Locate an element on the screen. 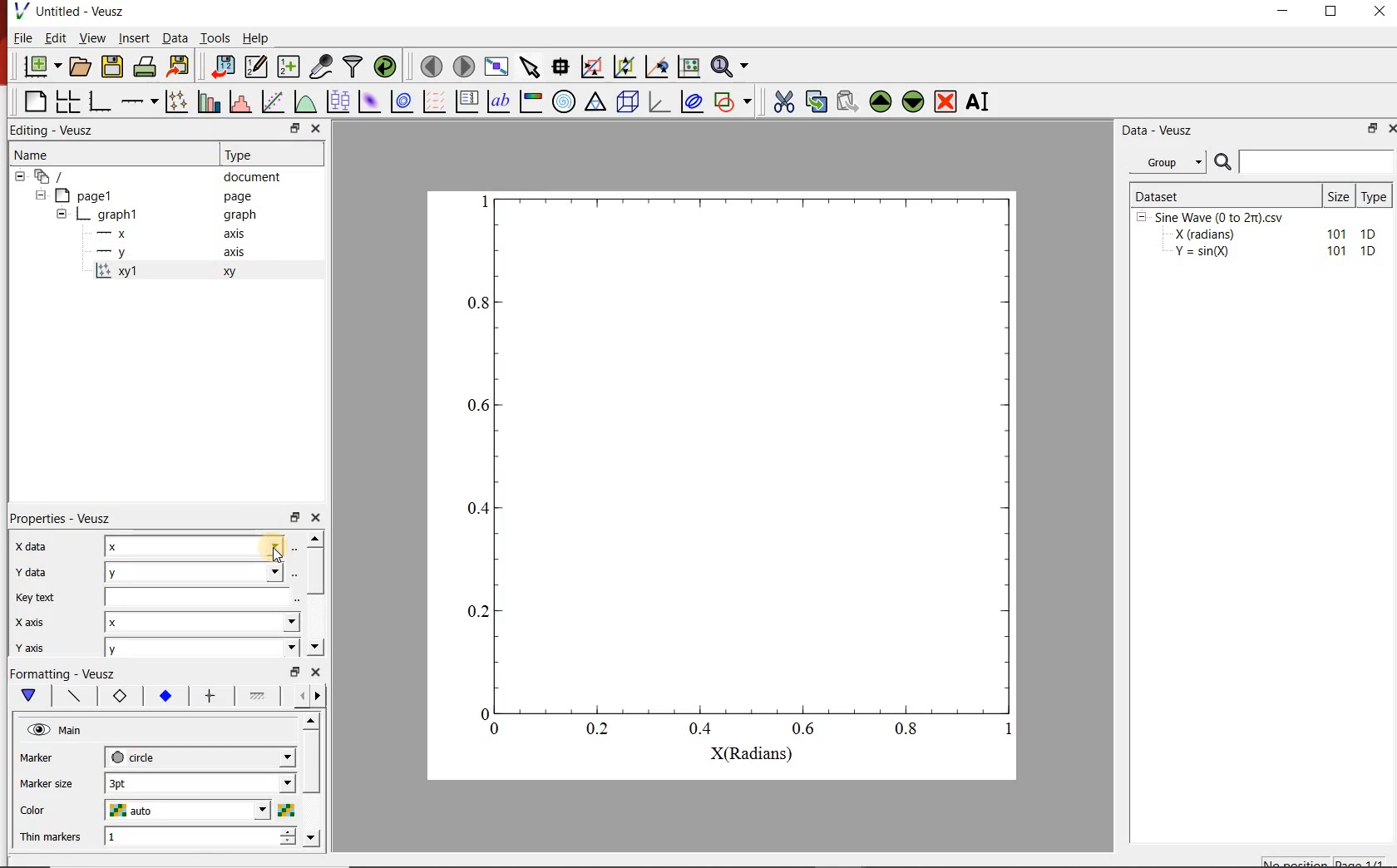 The width and height of the screenshot is (1397, 868). 1 is located at coordinates (200, 837).